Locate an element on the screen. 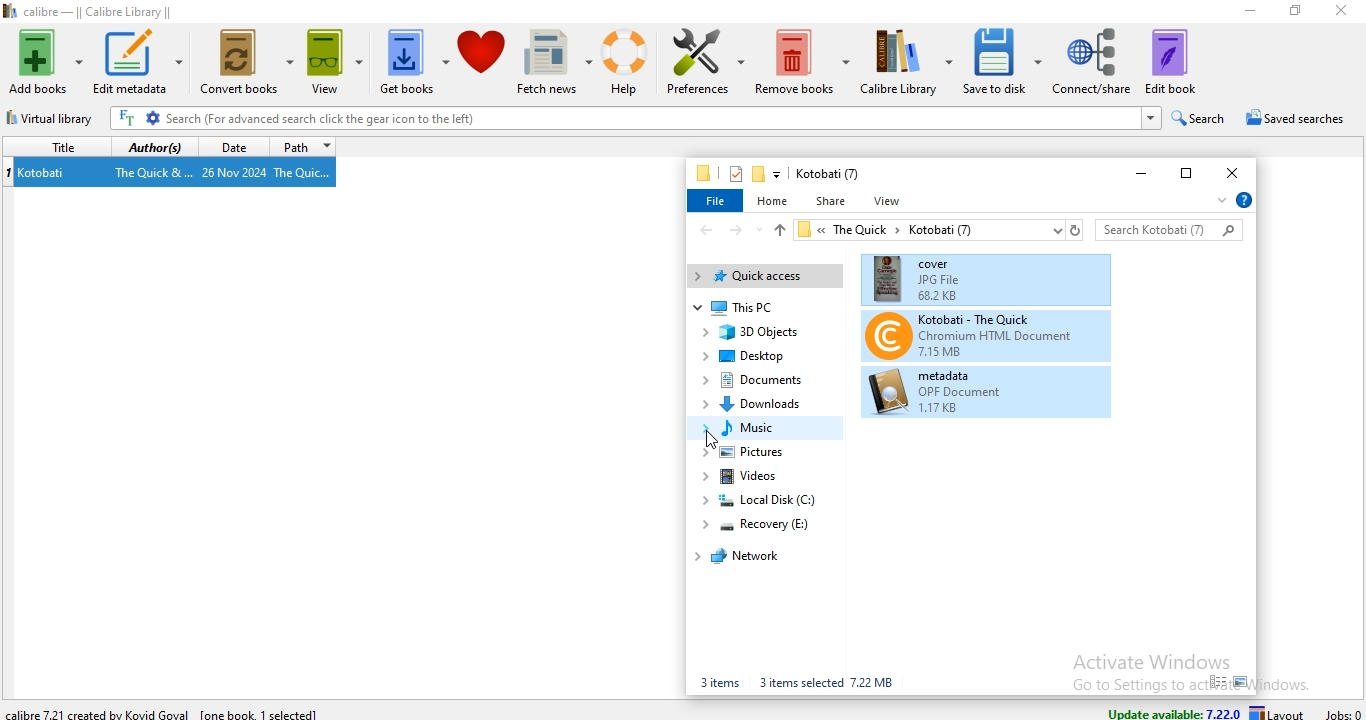 This screenshot has height=720, width=1366. Kotobati is located at coordinates (43, 173).